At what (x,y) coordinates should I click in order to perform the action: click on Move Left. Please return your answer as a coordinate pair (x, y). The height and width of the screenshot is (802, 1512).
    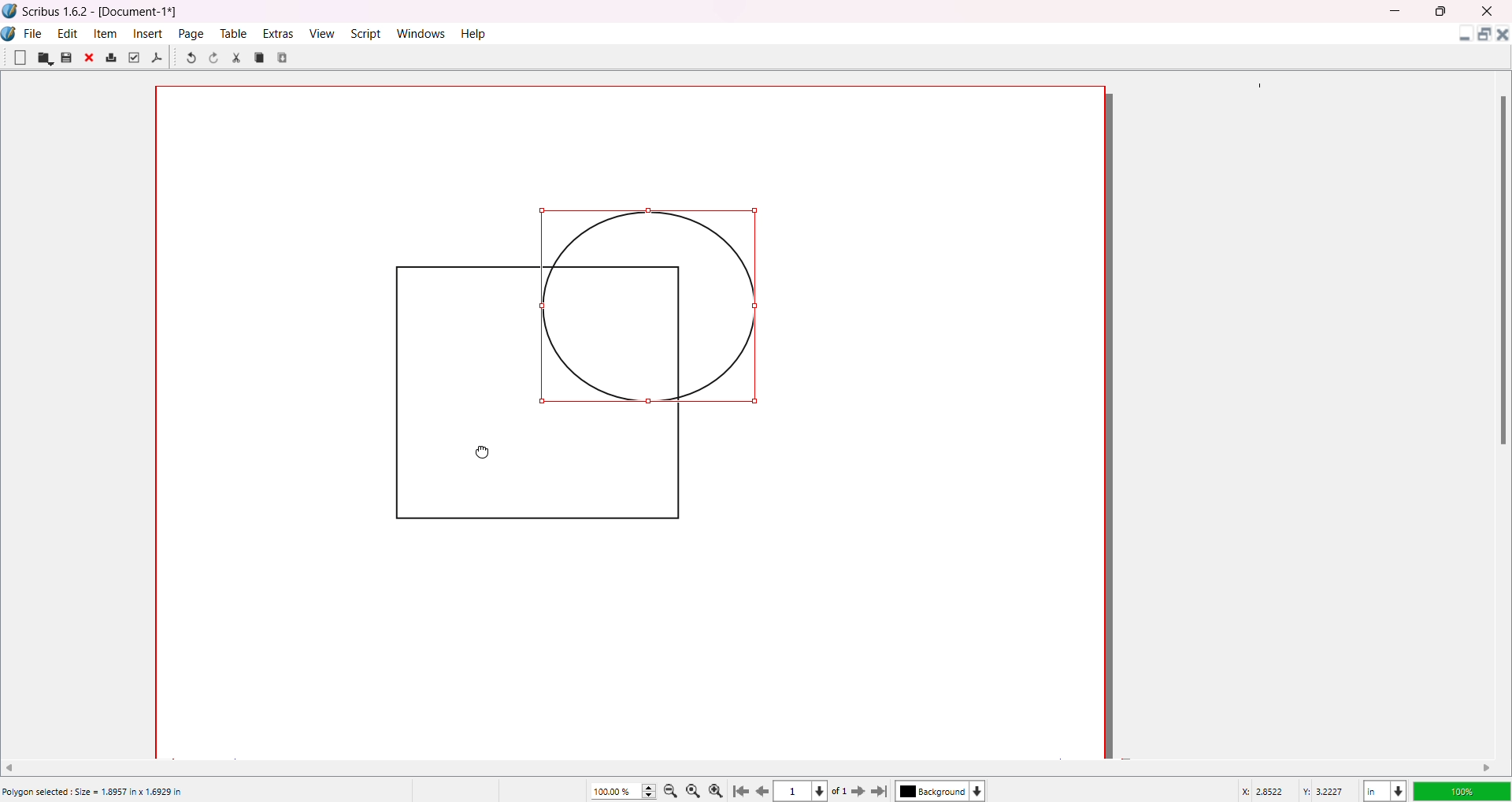
    Looking at the image, I should click on (15, 766).